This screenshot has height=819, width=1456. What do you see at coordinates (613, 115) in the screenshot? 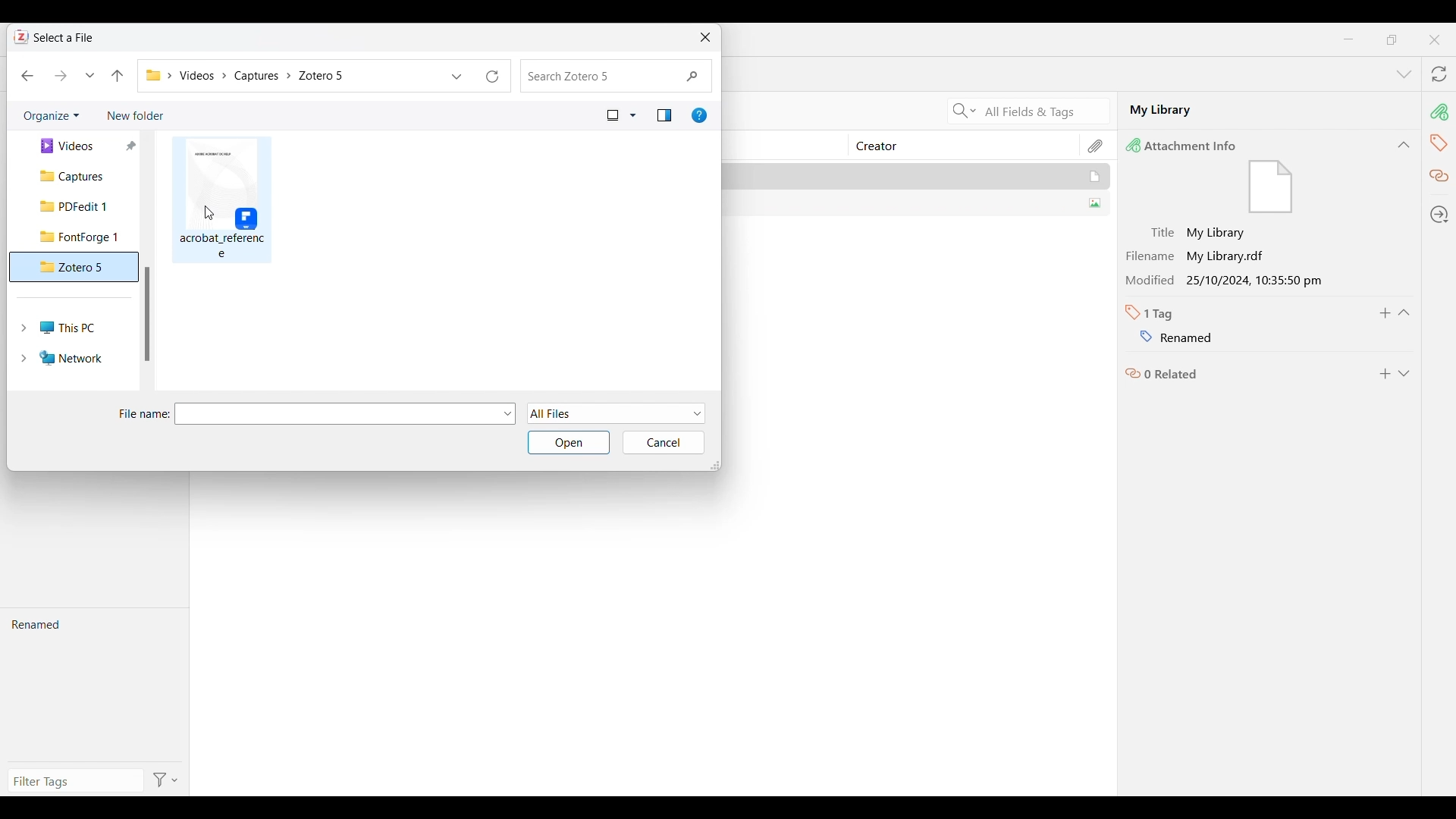
I see `Current view` at bounding box center [613, 115].